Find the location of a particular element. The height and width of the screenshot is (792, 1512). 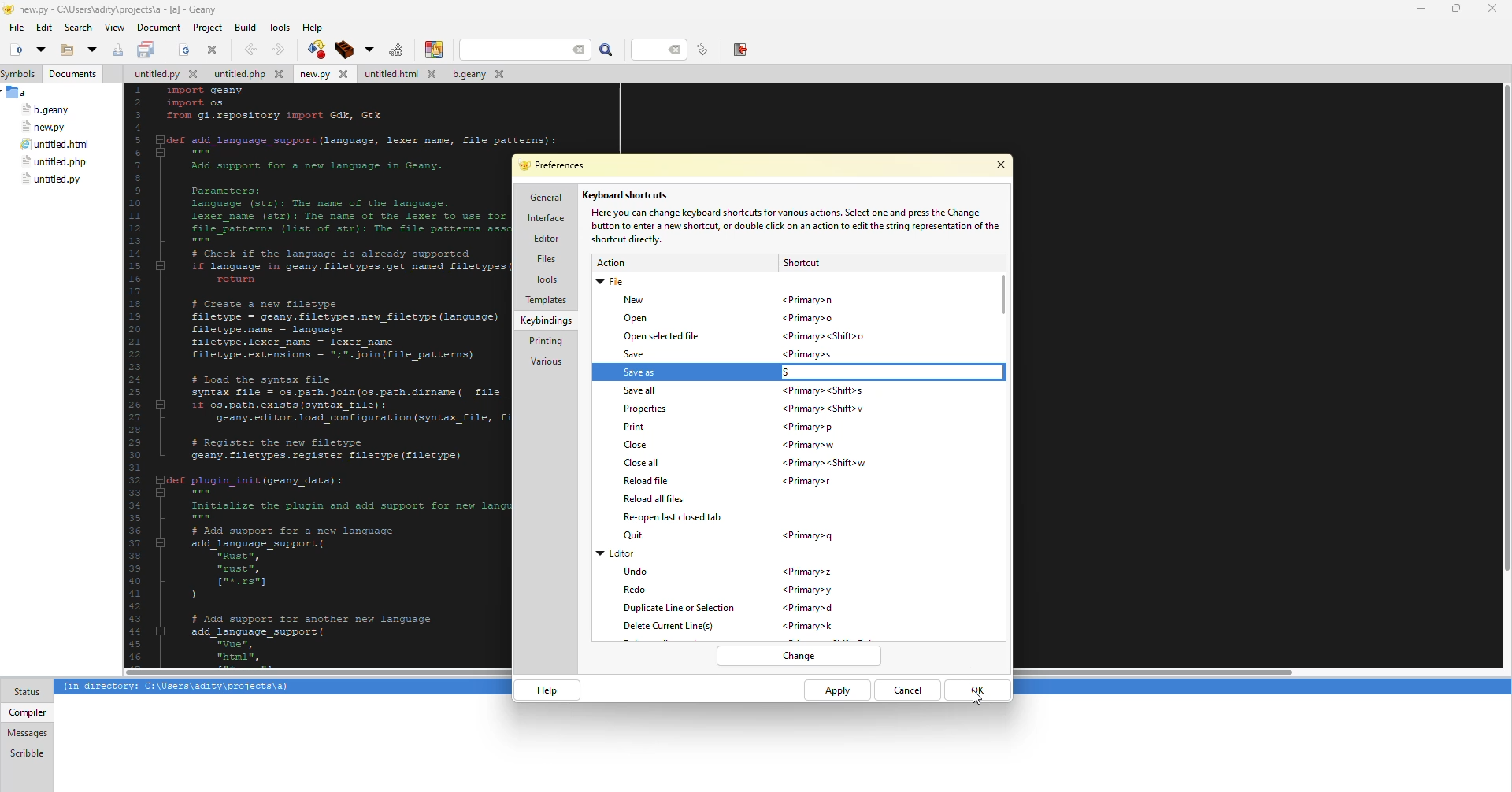

symbols is located at coordinates (22, 74).